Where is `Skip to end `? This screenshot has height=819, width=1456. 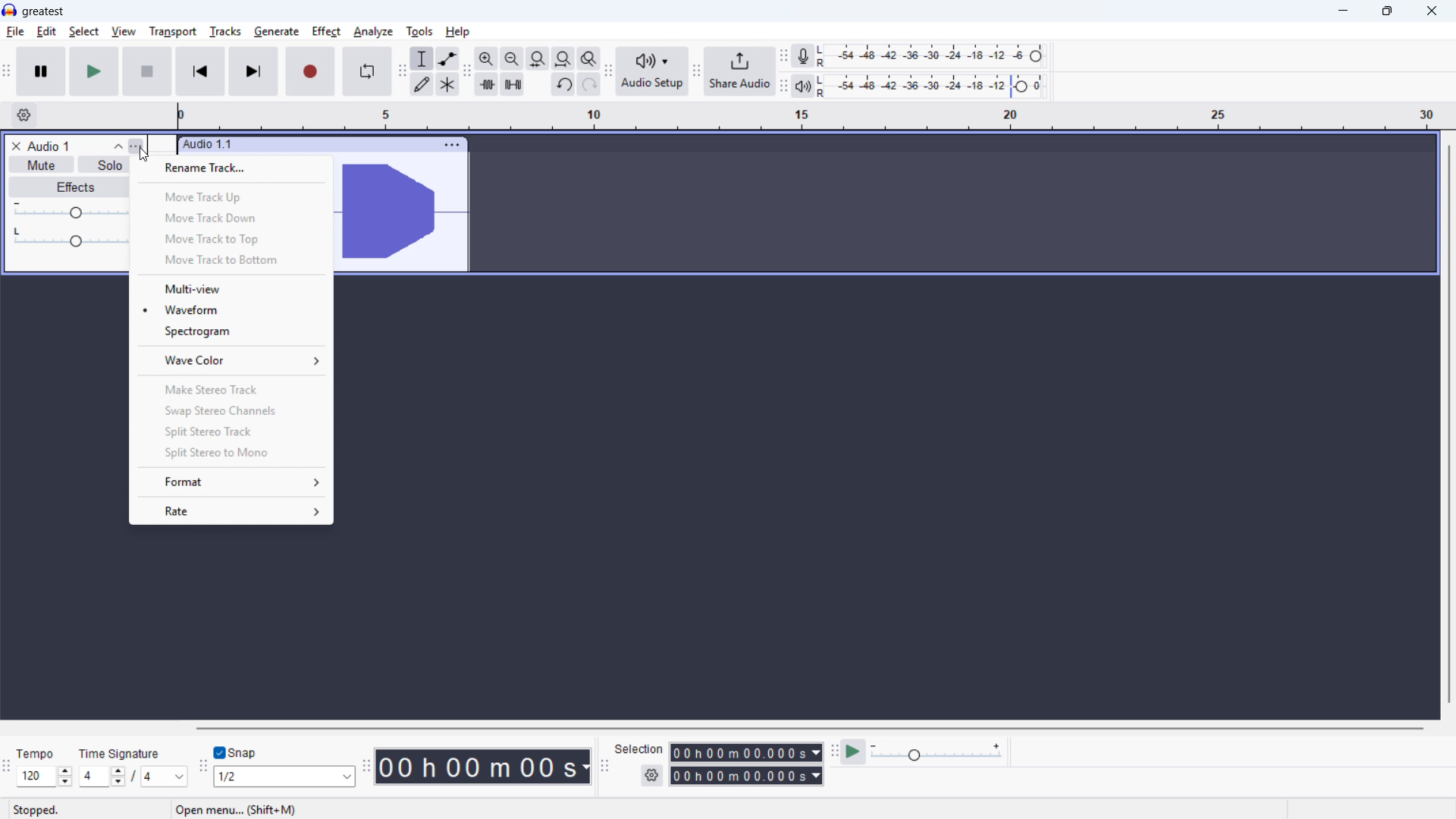
Skip to end  is located at coordinates (253, 72).